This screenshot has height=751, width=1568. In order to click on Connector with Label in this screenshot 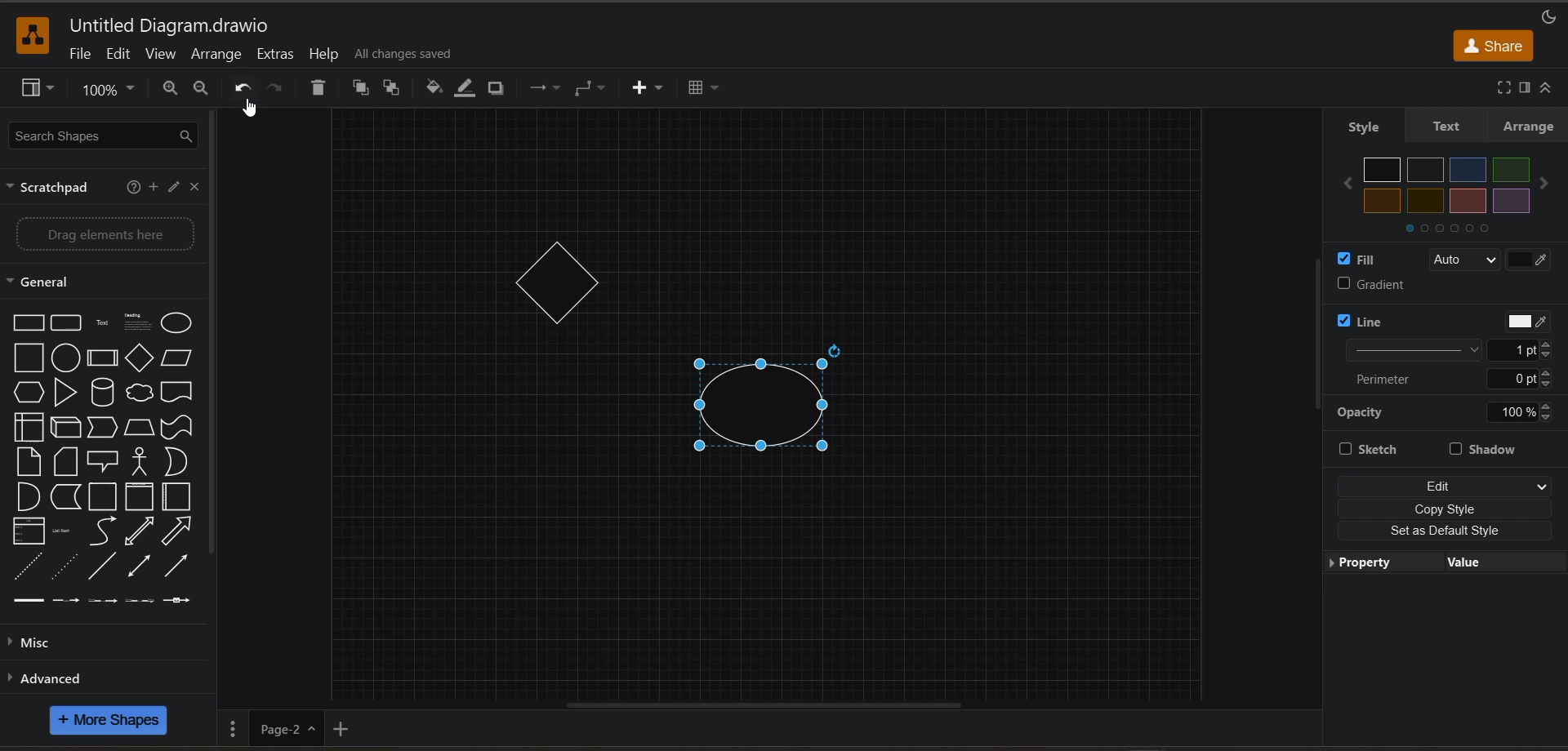, I will do `click(65, 600)`.